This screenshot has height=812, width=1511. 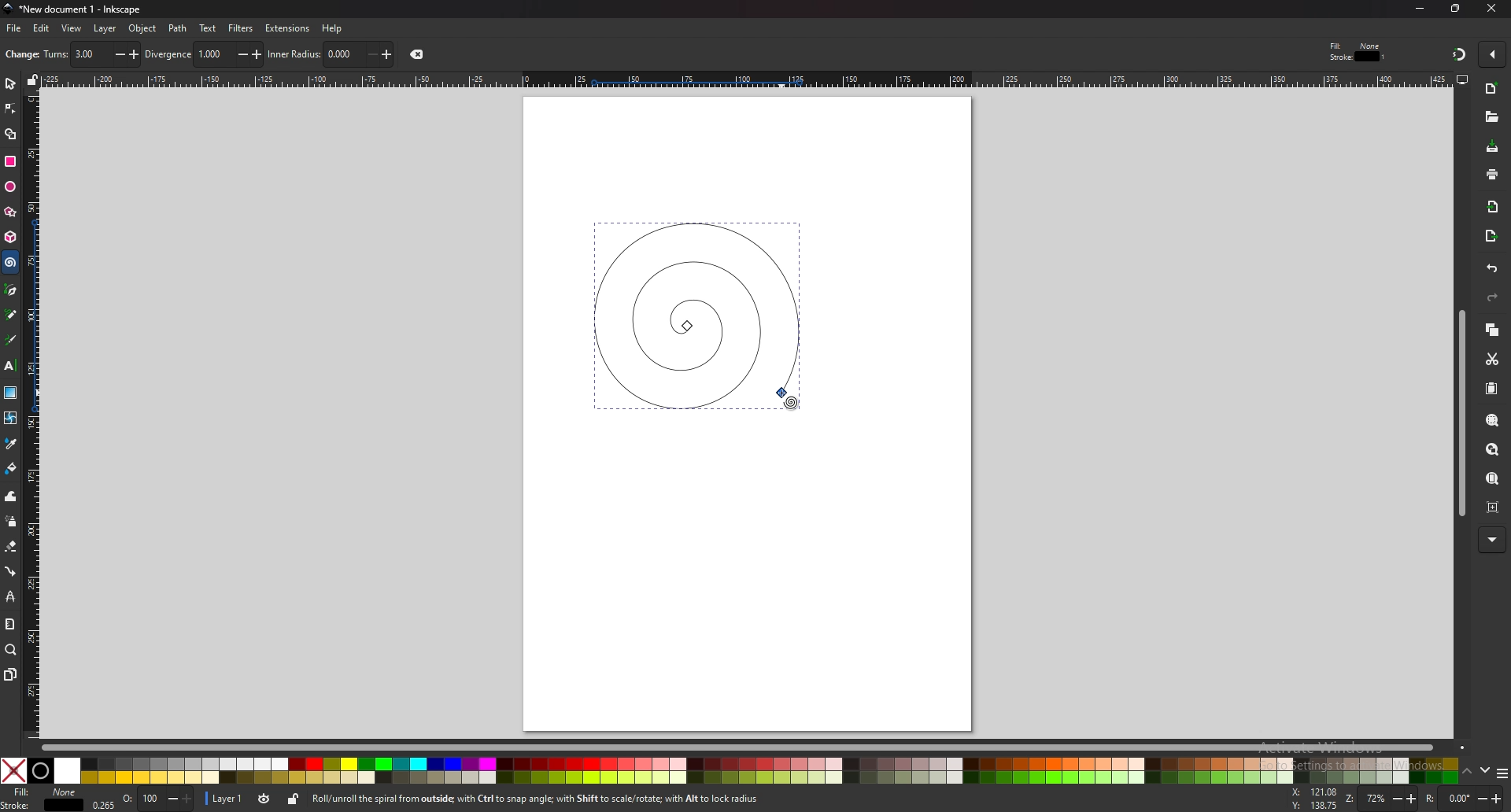 What do you see at coordinates (12, 444) in the screenshot?
I see `dropper` at bounding box center [12, 444].